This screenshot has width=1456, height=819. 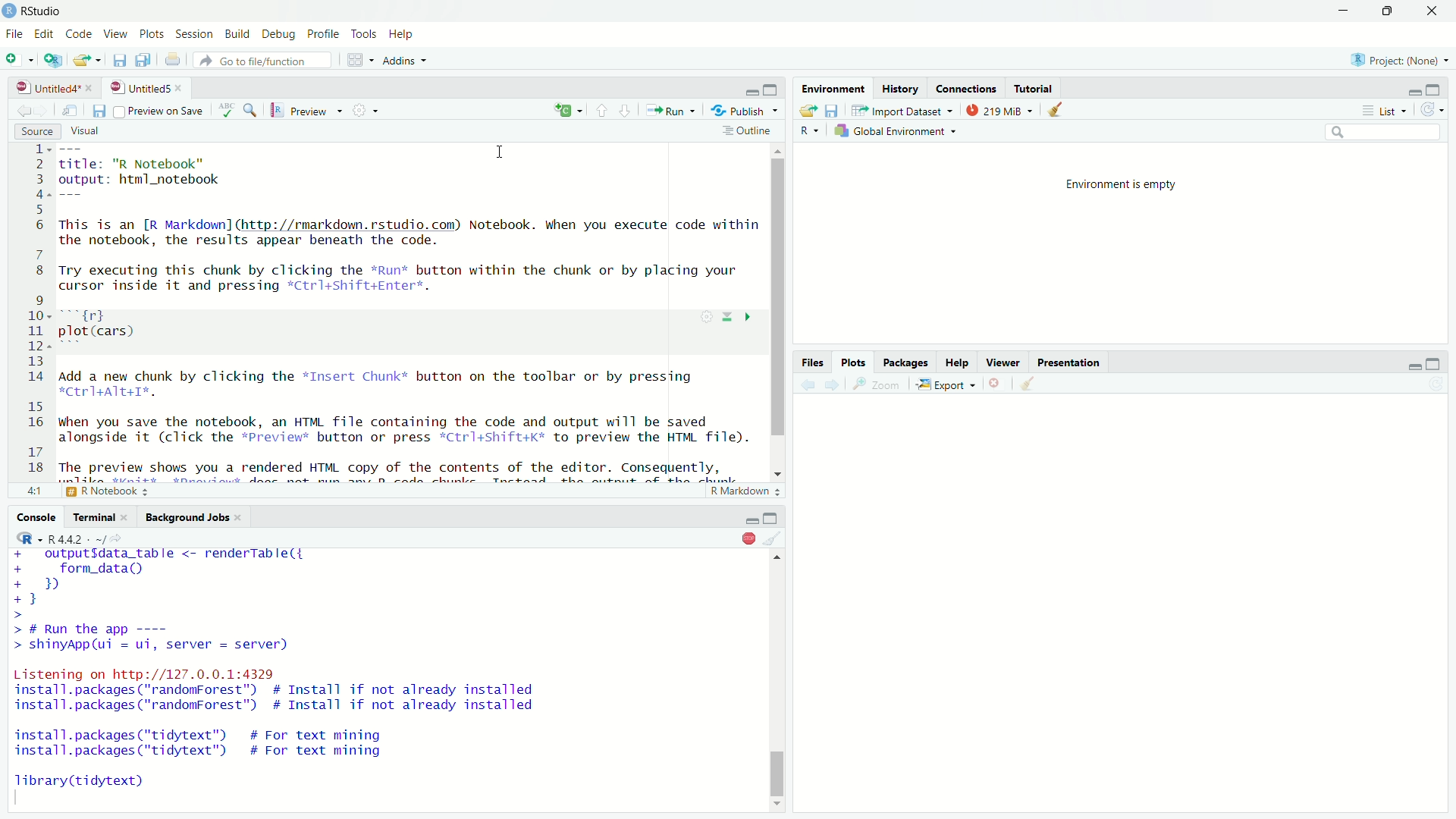 I want to click on Environment is empty, so click(x=1119, y=183).